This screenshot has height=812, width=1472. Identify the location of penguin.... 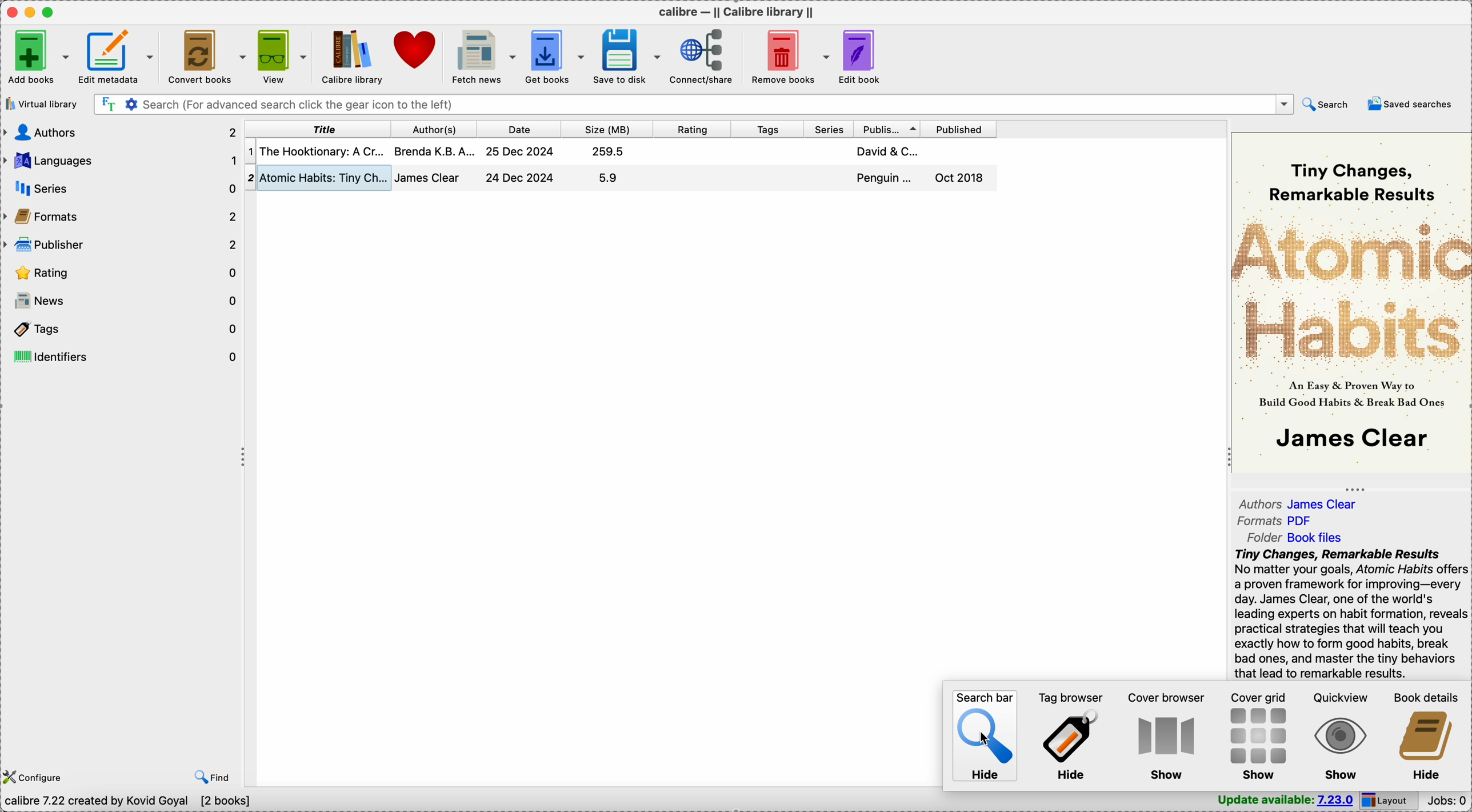
(885, 178).